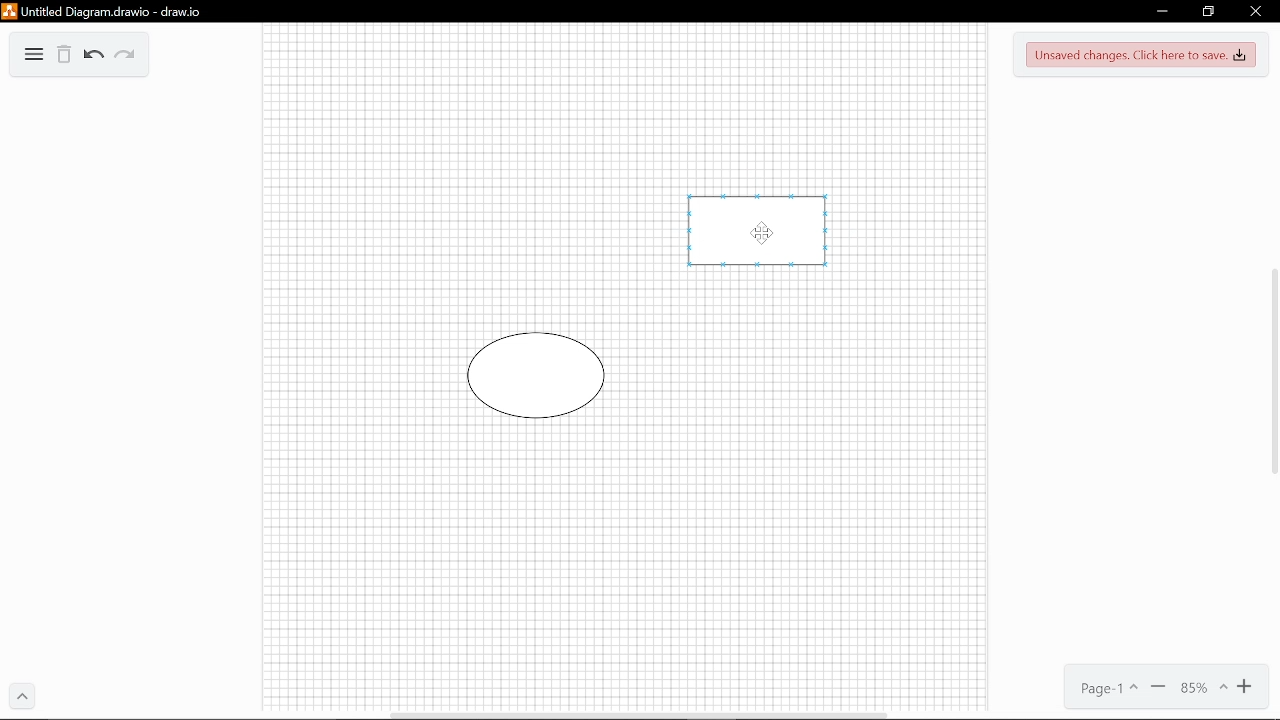 This screenshot has height=720, width=1280. Describe the element at coordinates (761, 236) in the screenshot. I see `Cursor` at that location.